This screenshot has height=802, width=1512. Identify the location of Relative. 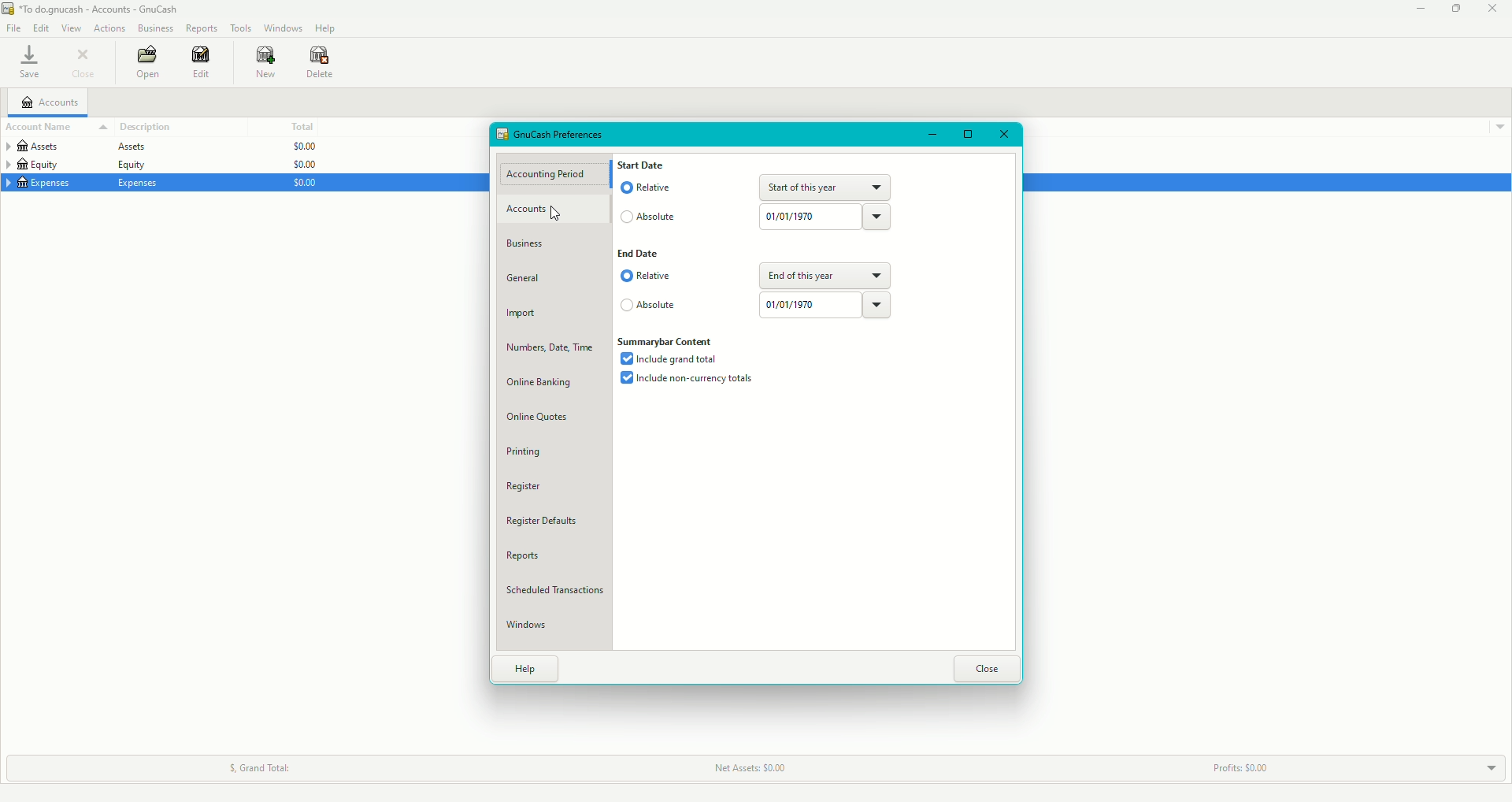
(650, 188).